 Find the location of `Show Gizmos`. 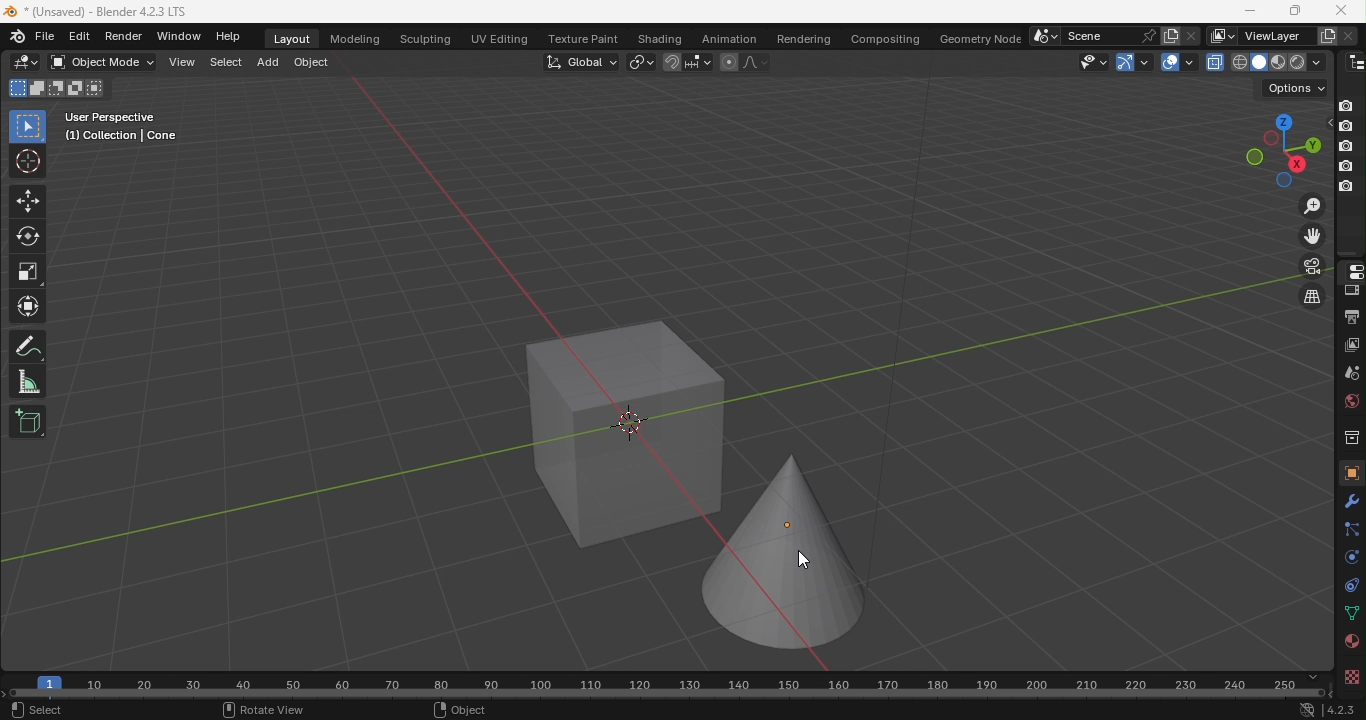

Show Gizmos is located at coordinates (1145, 61).